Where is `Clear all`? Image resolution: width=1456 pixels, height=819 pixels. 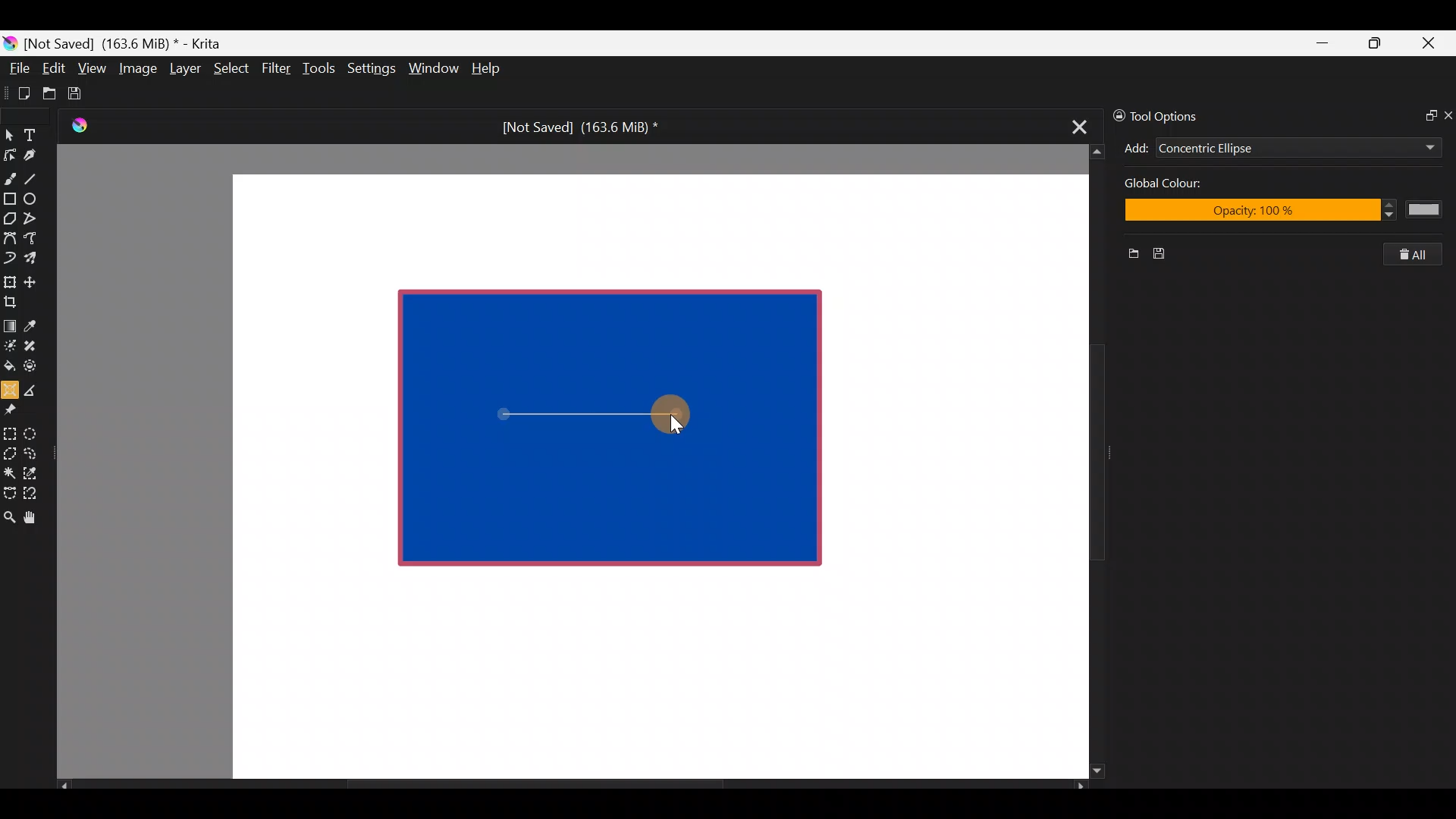 Clear all is located at coordinates (1420, 254).